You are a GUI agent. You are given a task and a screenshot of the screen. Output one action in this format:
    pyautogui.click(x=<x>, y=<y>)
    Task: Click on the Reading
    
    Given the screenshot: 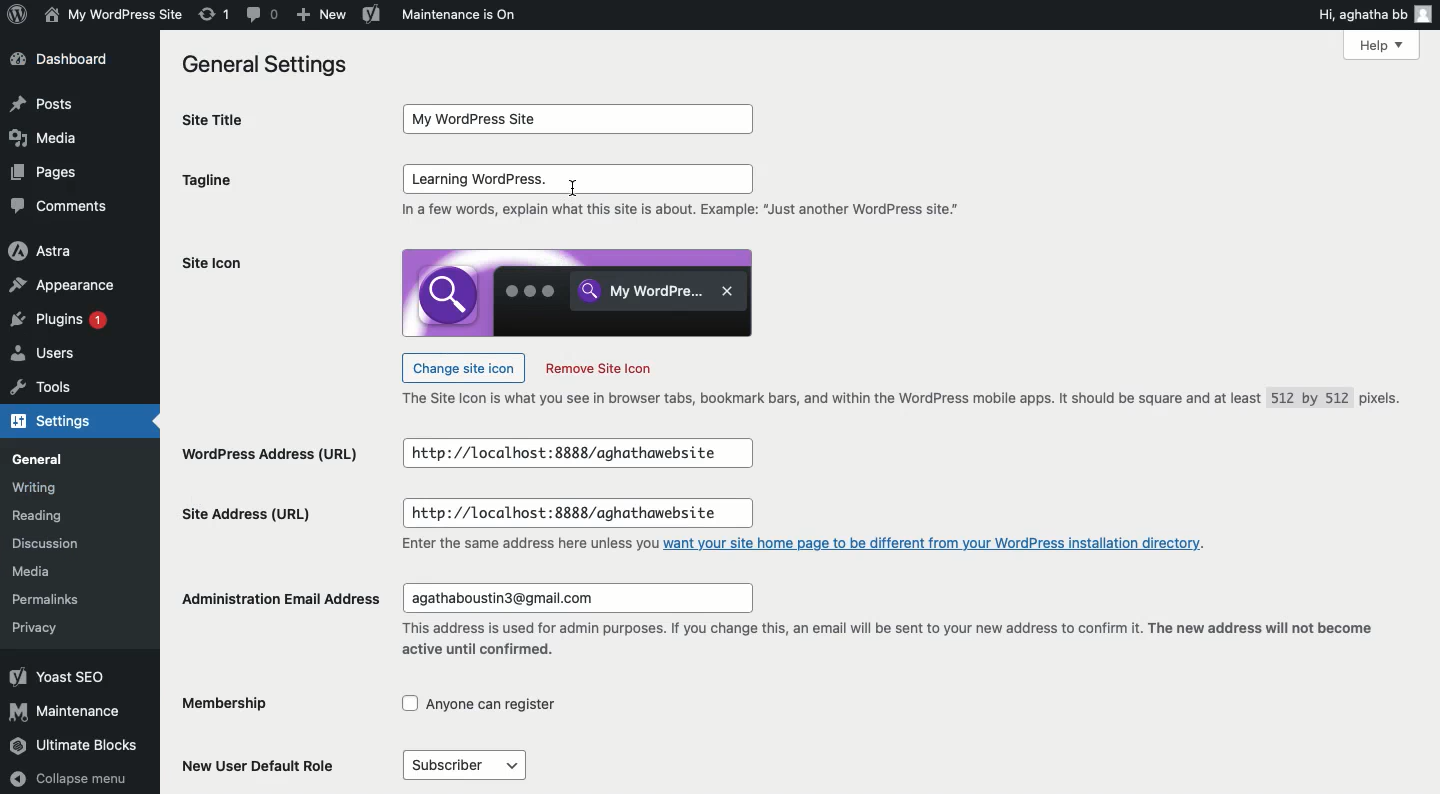 What is the action you would take?
    pyautogui.click(x=43, y=517)
    